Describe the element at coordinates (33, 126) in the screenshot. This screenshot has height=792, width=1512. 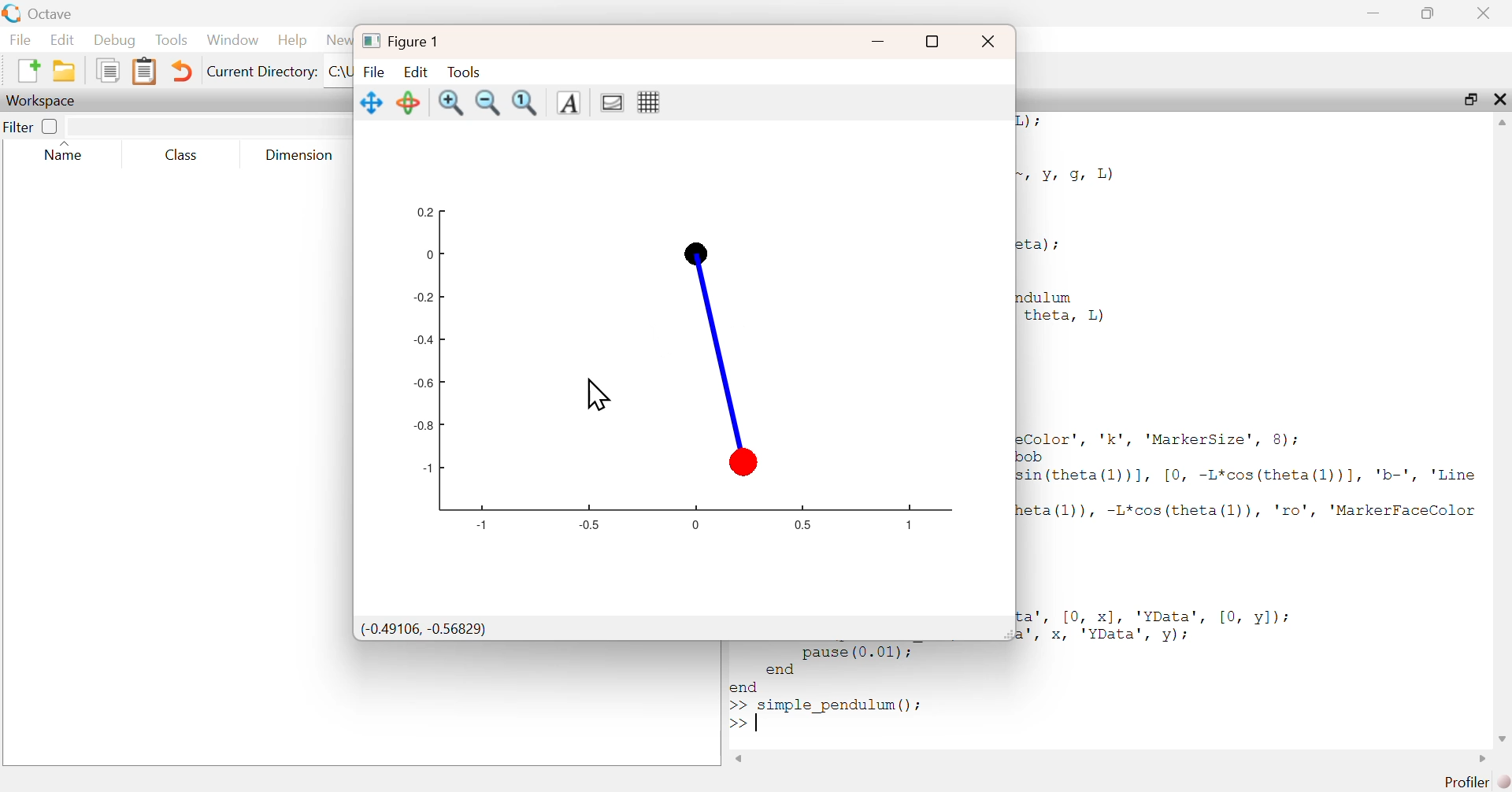
I see `Filter` at that location.